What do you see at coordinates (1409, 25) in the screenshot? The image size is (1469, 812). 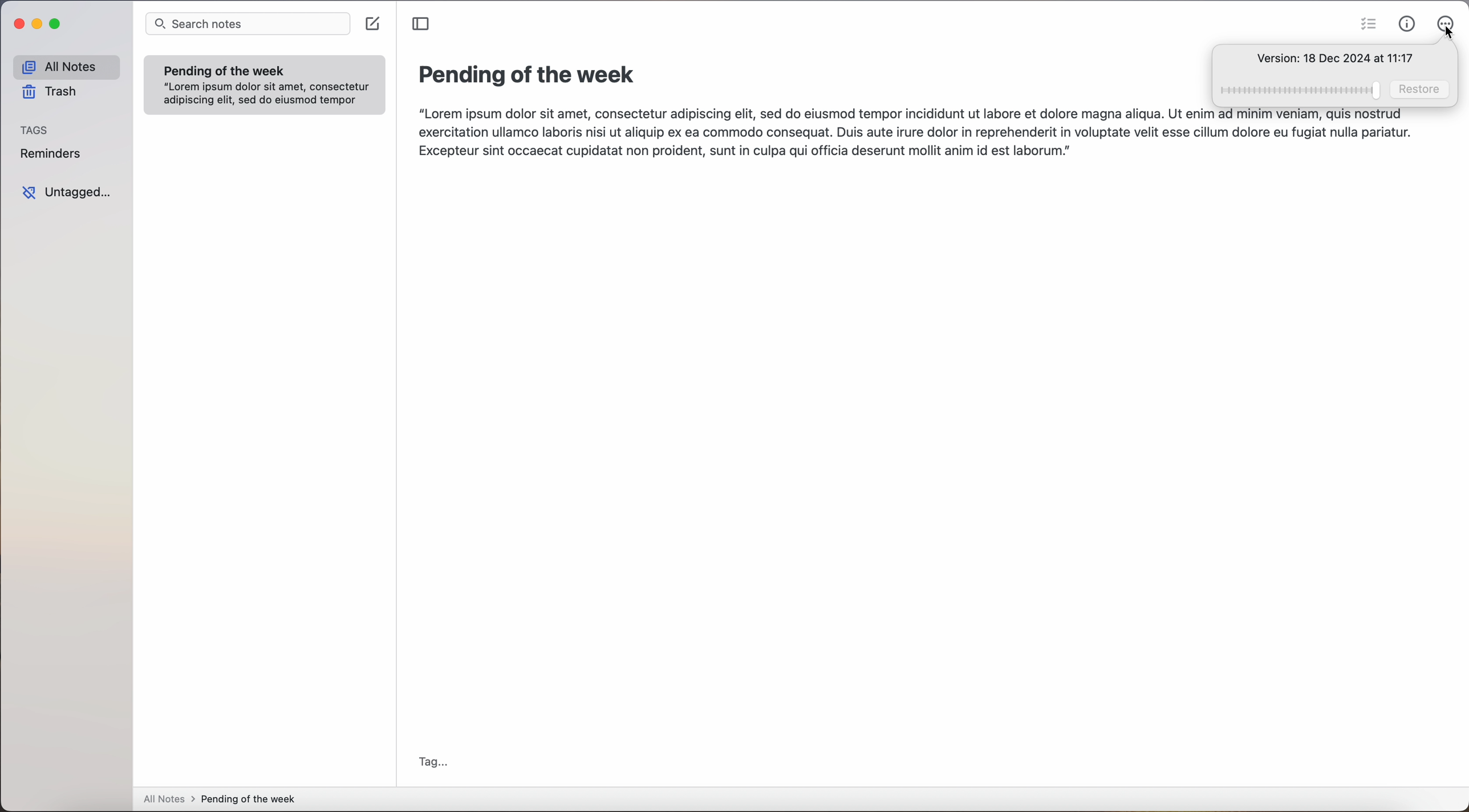 I see `metrics` at bounding box center [1409, 25].